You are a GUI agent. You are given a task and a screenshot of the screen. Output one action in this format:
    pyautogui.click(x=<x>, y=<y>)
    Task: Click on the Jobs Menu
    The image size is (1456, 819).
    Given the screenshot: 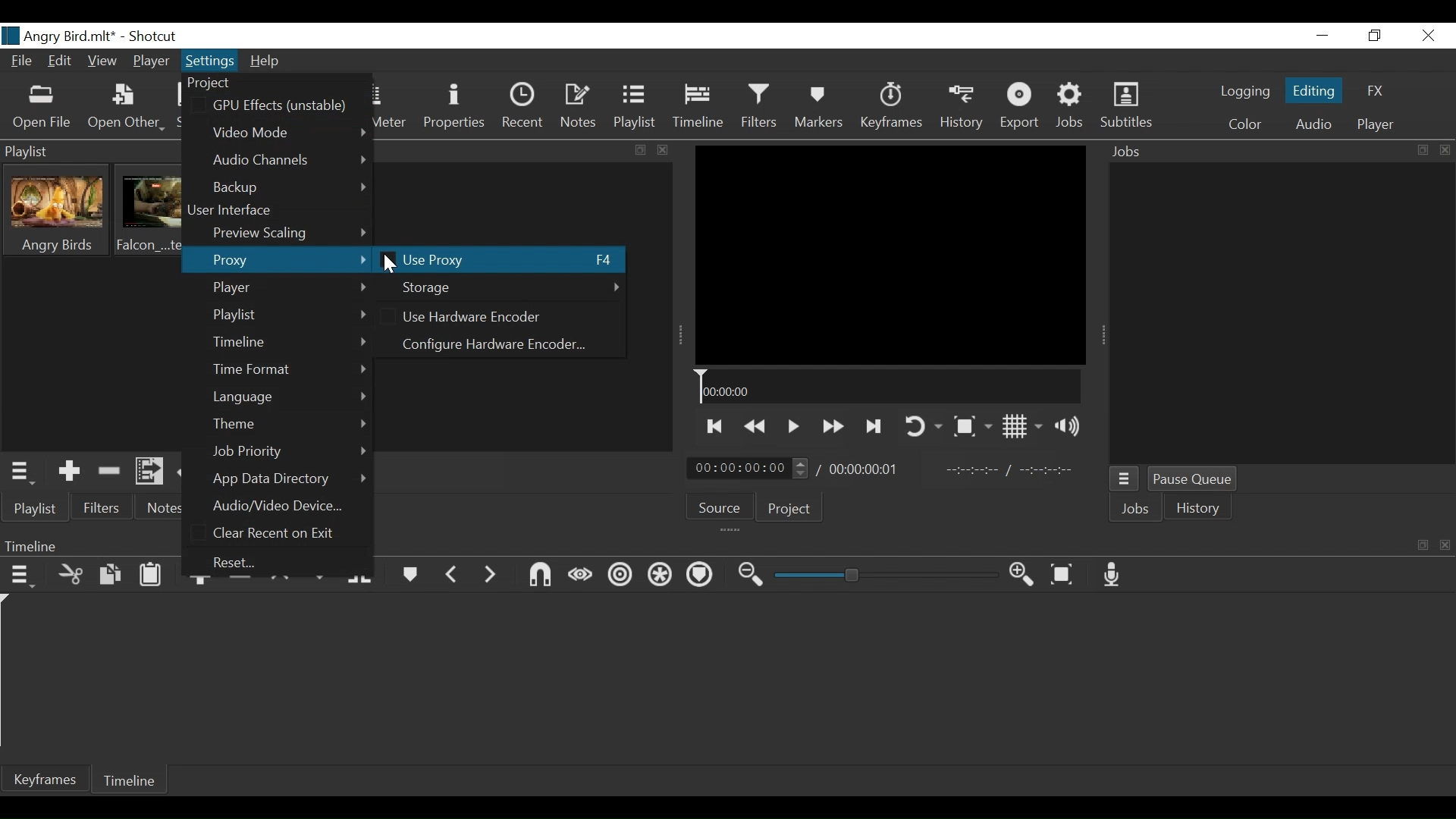 What is the action you would take?
    pyautogui.click(x=1123, y=479)
    